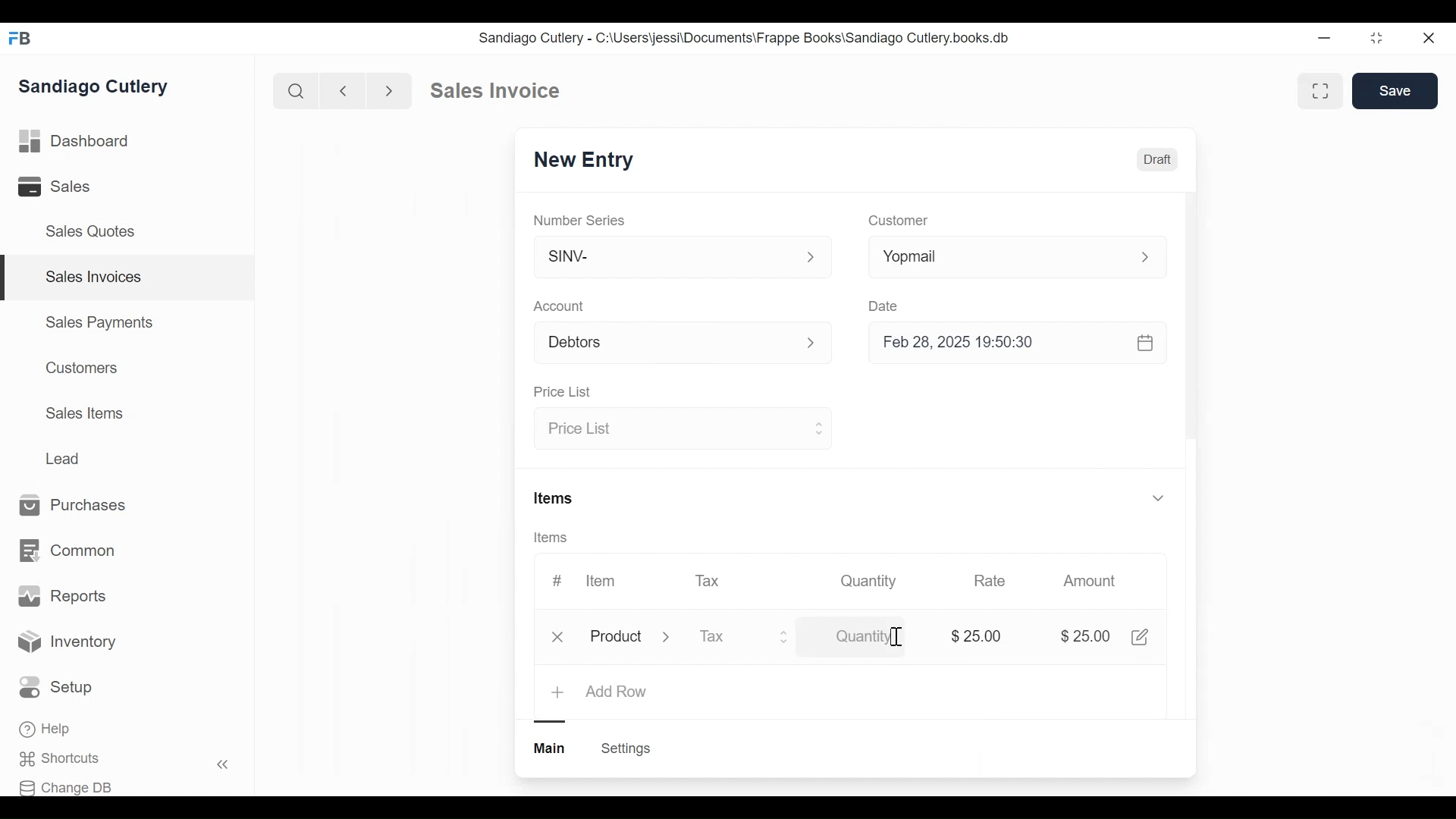 This screenshot has width=1456, height=819. Describe the element at coordinates (1376, 37) in the screenshot. I see `restore` at that location.